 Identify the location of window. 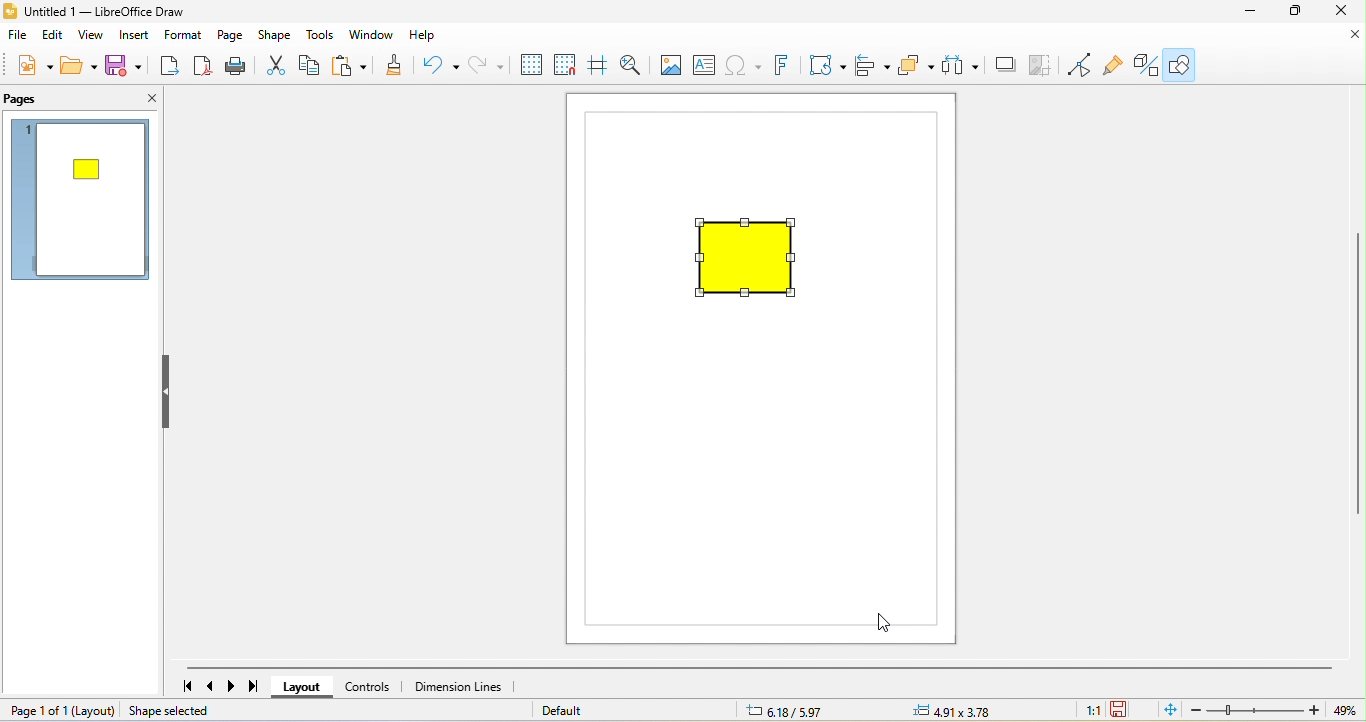
(372, 36).